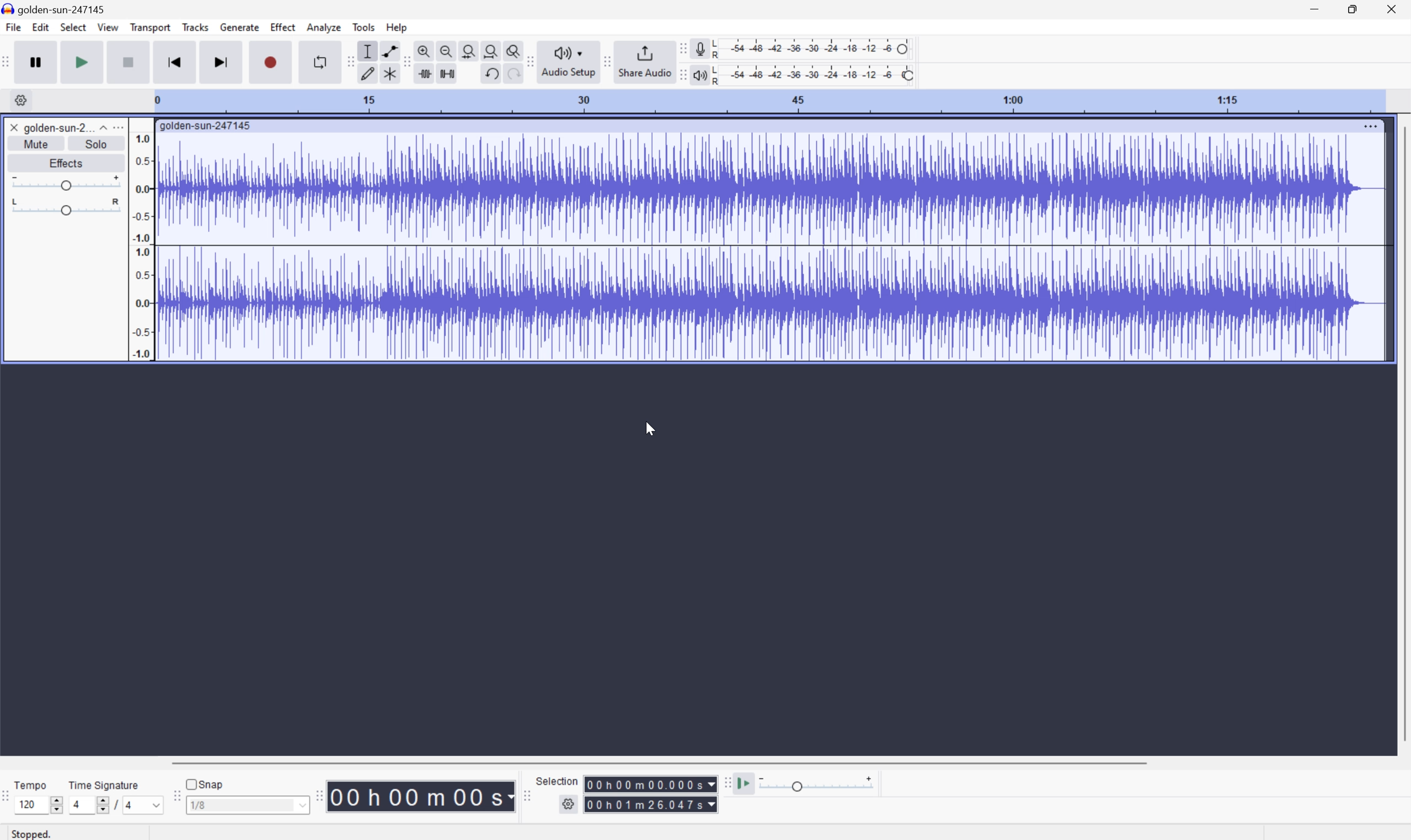 This screenshot has width=1411, height=840. Describe the element at coordinates (175, 61) in the screenshot. I see `Skip to start` at that location.